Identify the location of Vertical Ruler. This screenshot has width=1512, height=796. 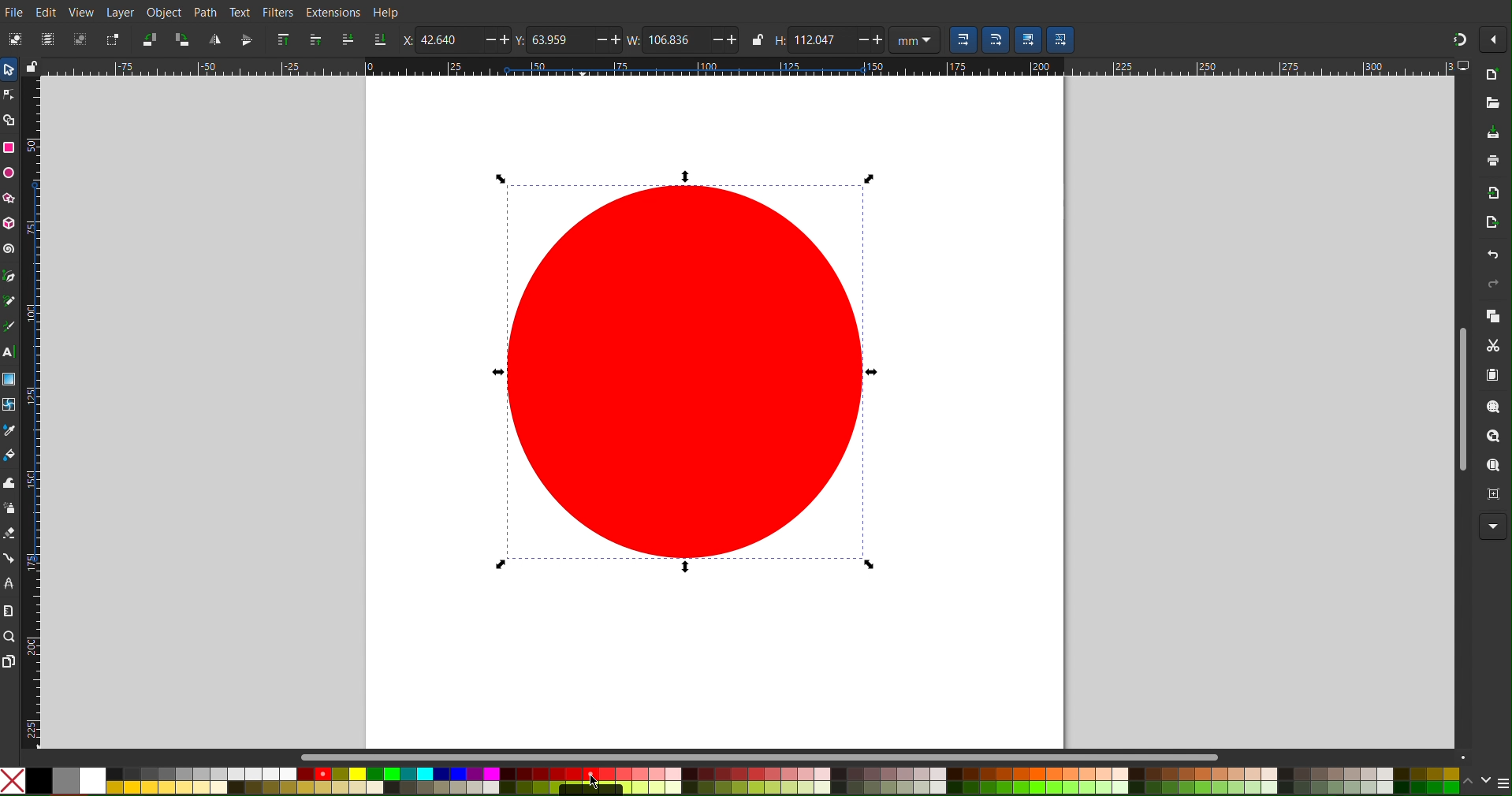
(32, 412).